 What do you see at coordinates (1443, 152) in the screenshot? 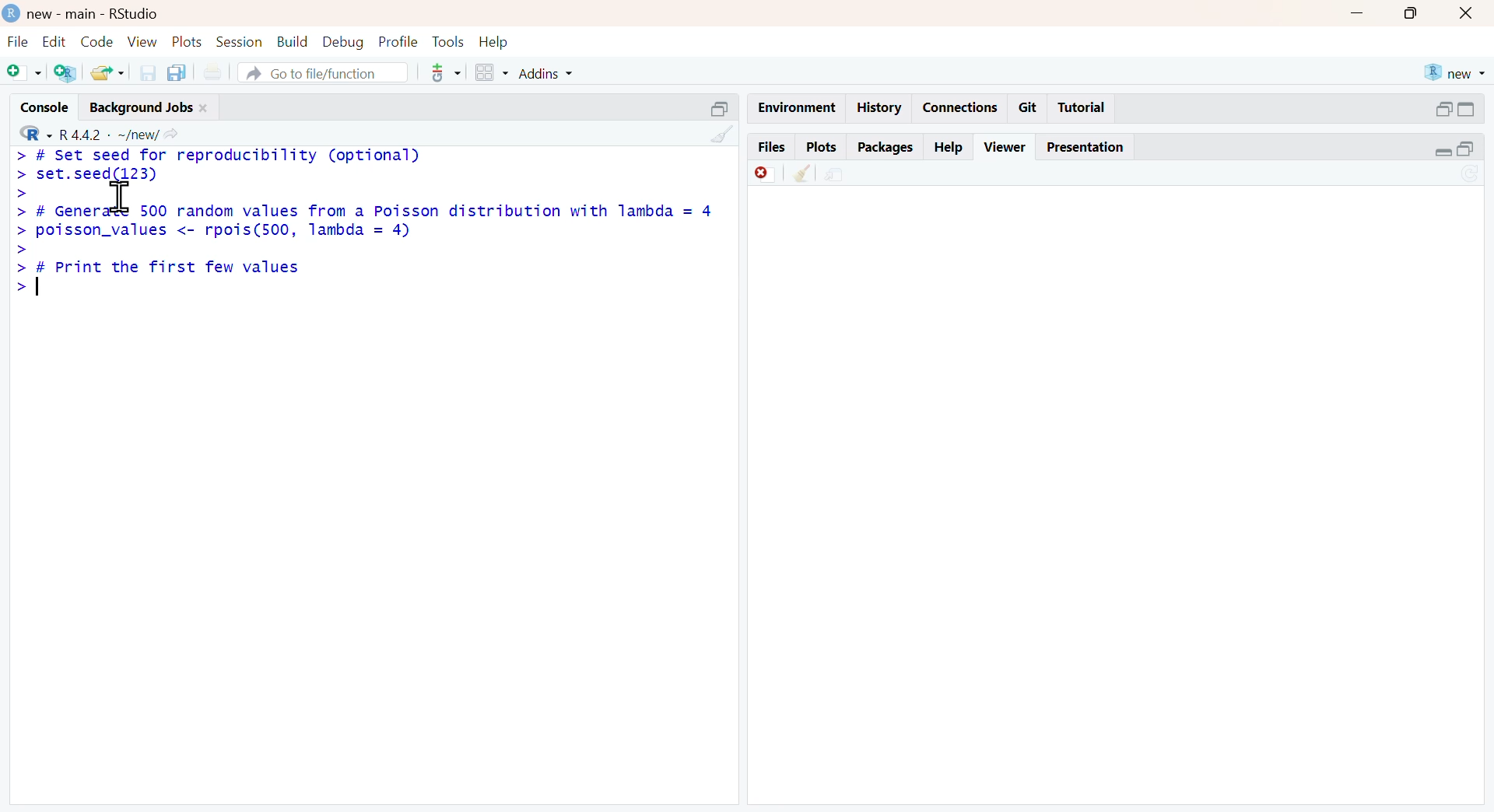
I see `expand/collapse` at bounding box center [1443, 152].